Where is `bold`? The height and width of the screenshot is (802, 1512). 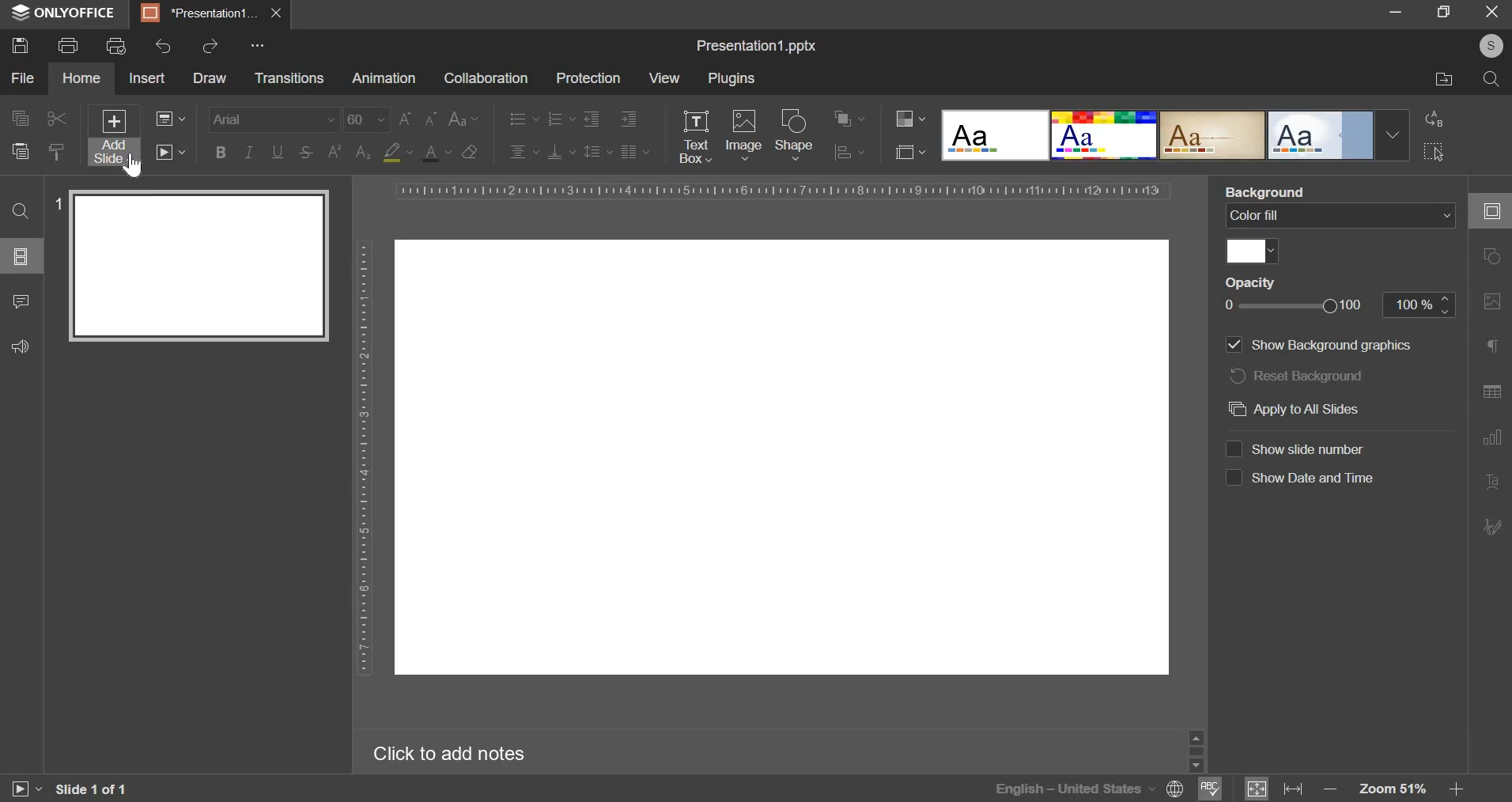 bold is located at coordinates (221, 150).